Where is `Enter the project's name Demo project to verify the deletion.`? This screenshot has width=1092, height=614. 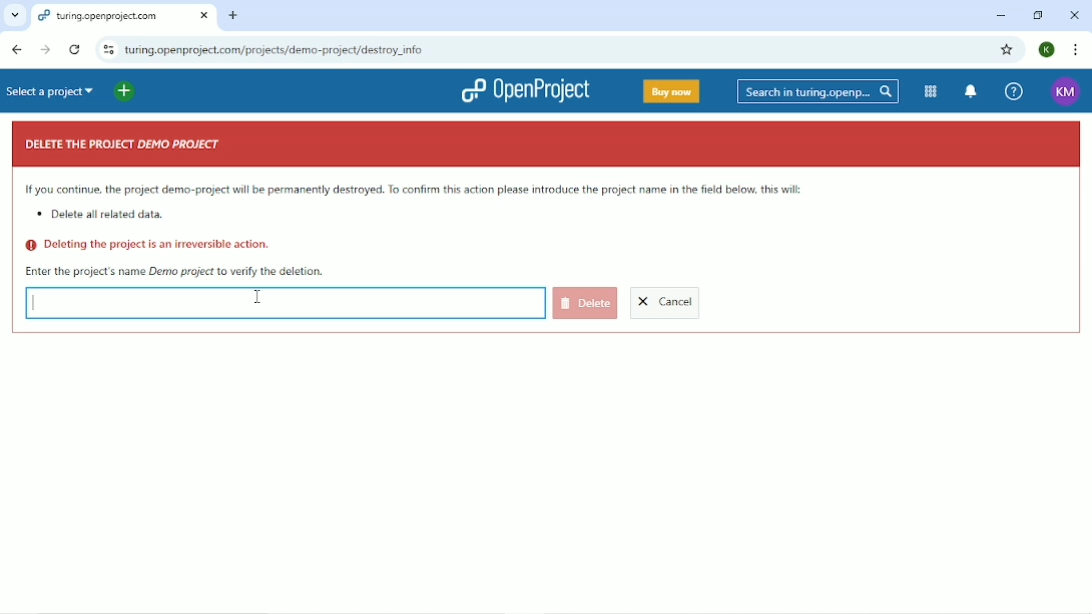
Enter the project's name Demo project to verify the deletion. is located at coordinates (175, 271).